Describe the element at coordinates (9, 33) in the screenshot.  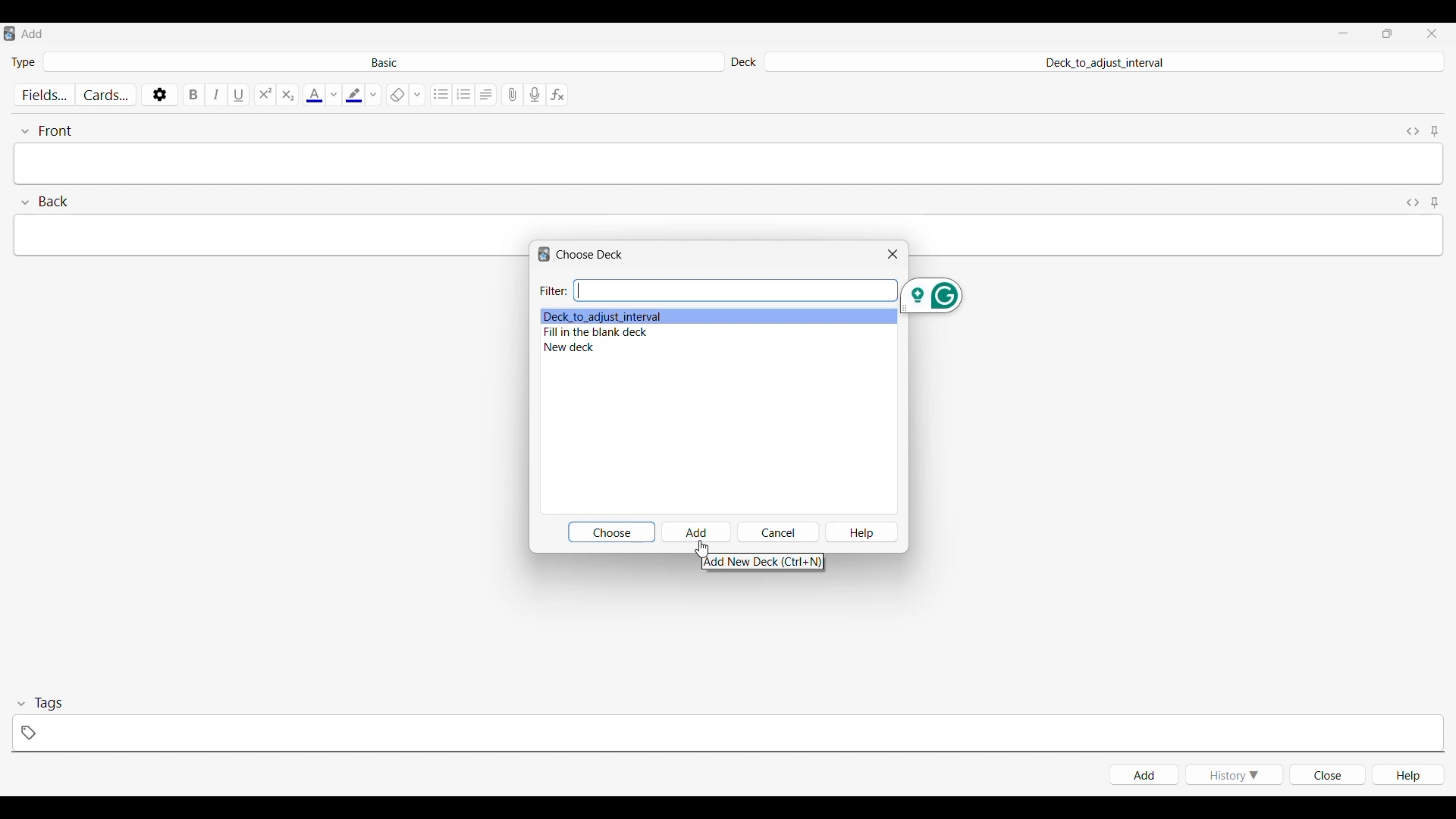
I see `Software logo` at that location.